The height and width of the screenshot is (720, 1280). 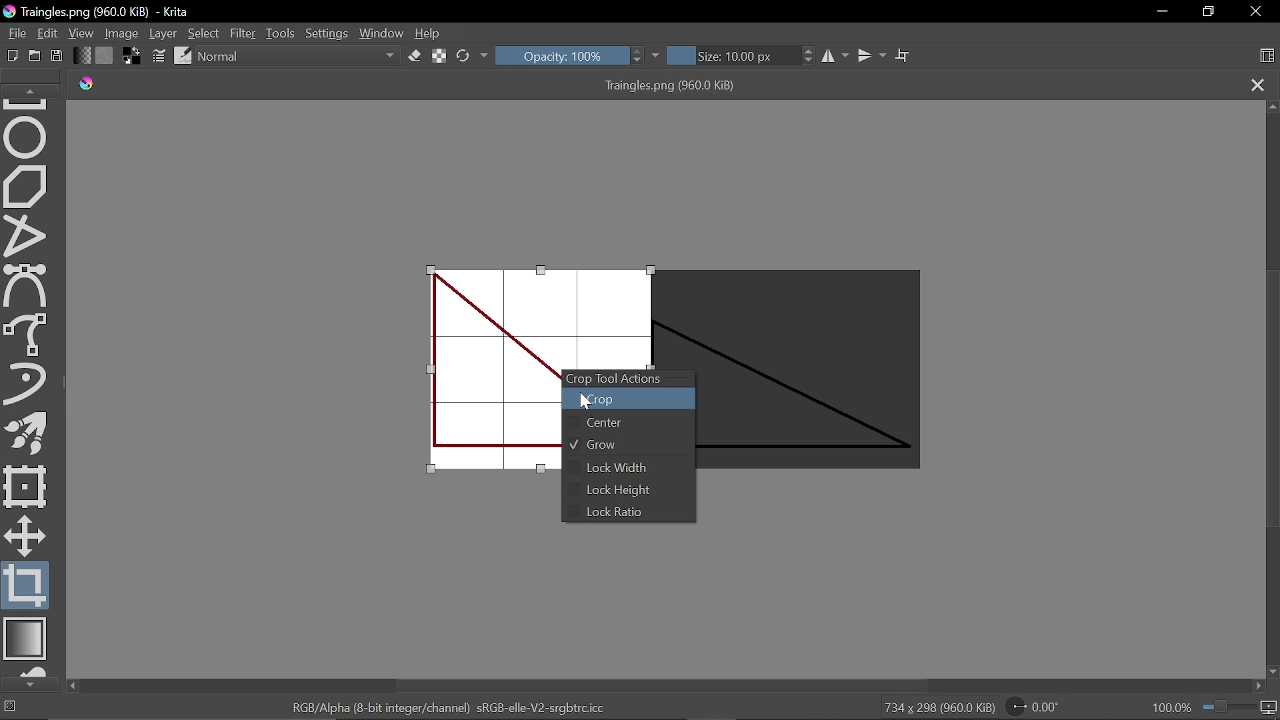 What do you see at coordinates (25, 286) in the screenshot?
I see `Bezier select tool` at bounding box center [25, 286].